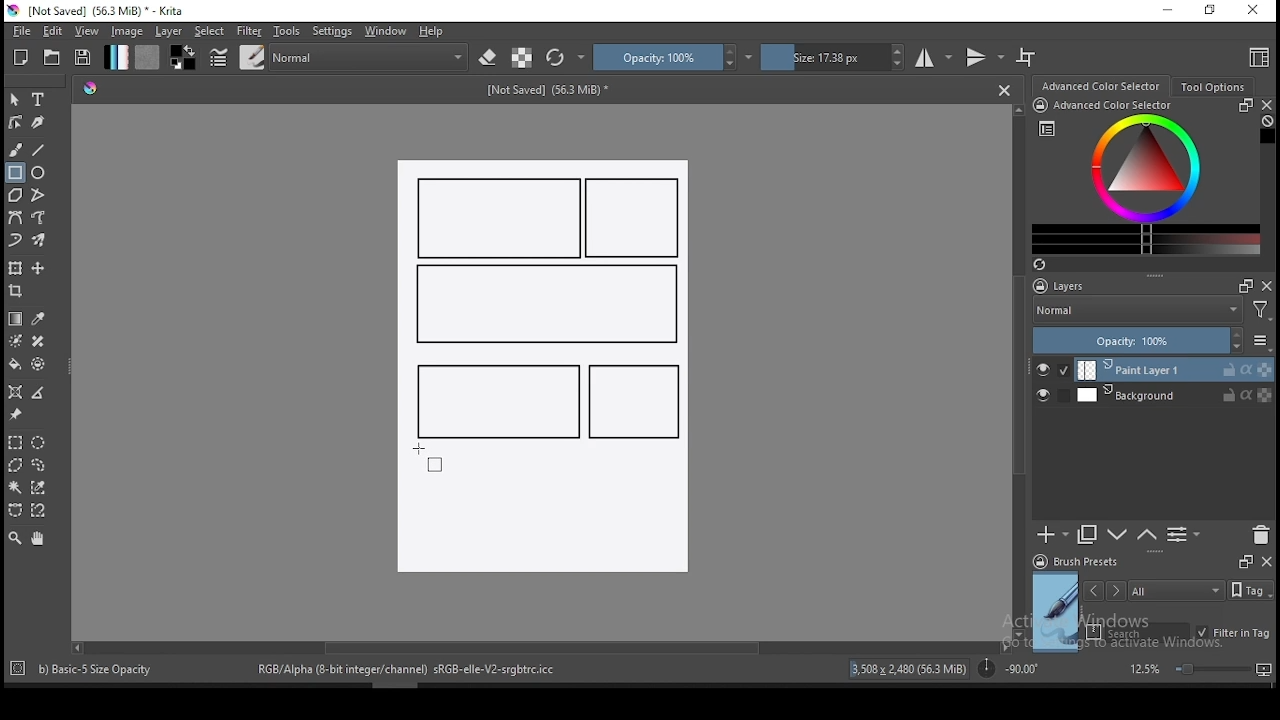 This screenshot has height=720, width=1280. Describe the element at coordinates (40, 218) in the screenshot. I see `freehand path tool` at that location.